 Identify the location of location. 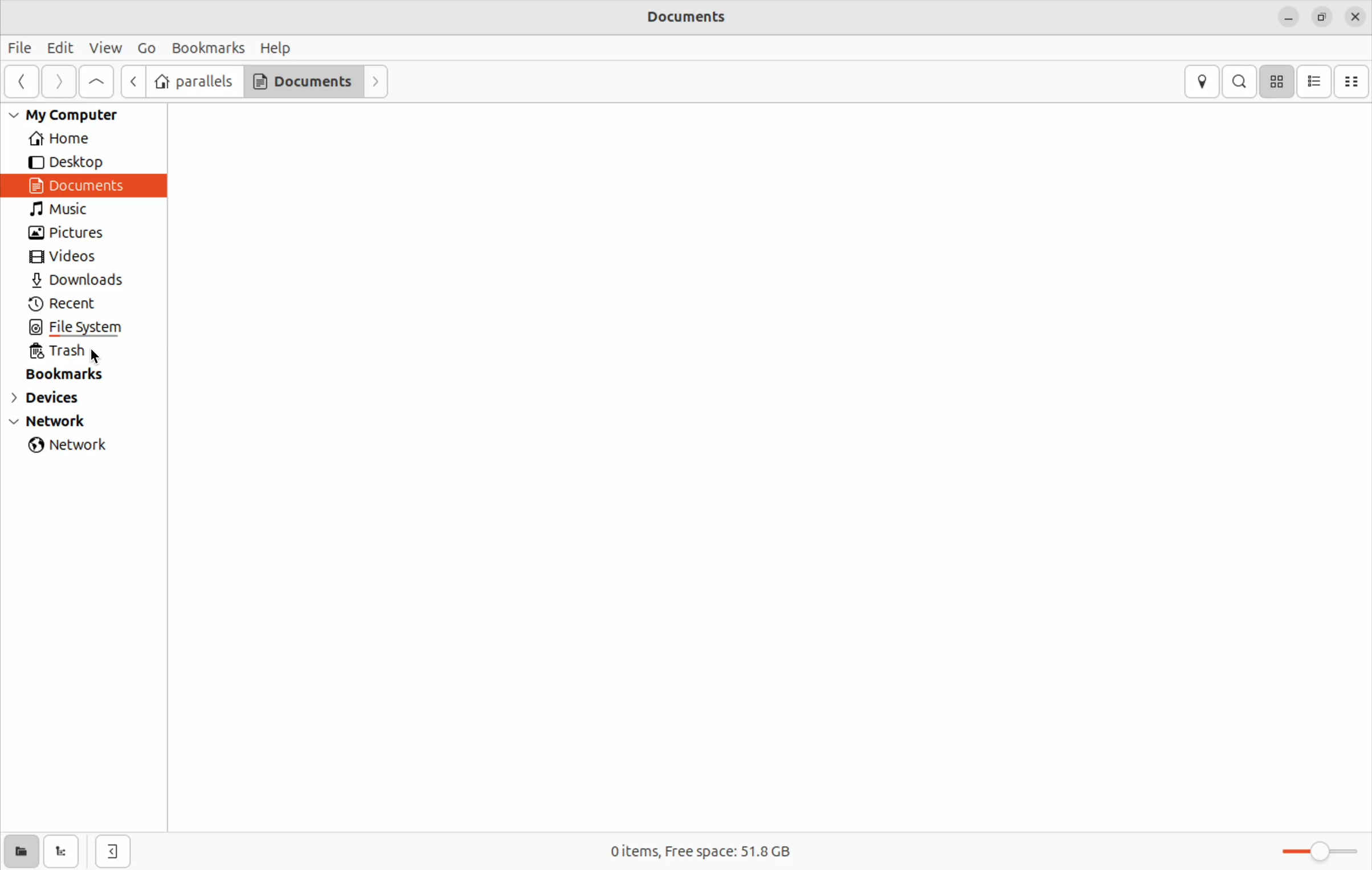
(1201, 81).